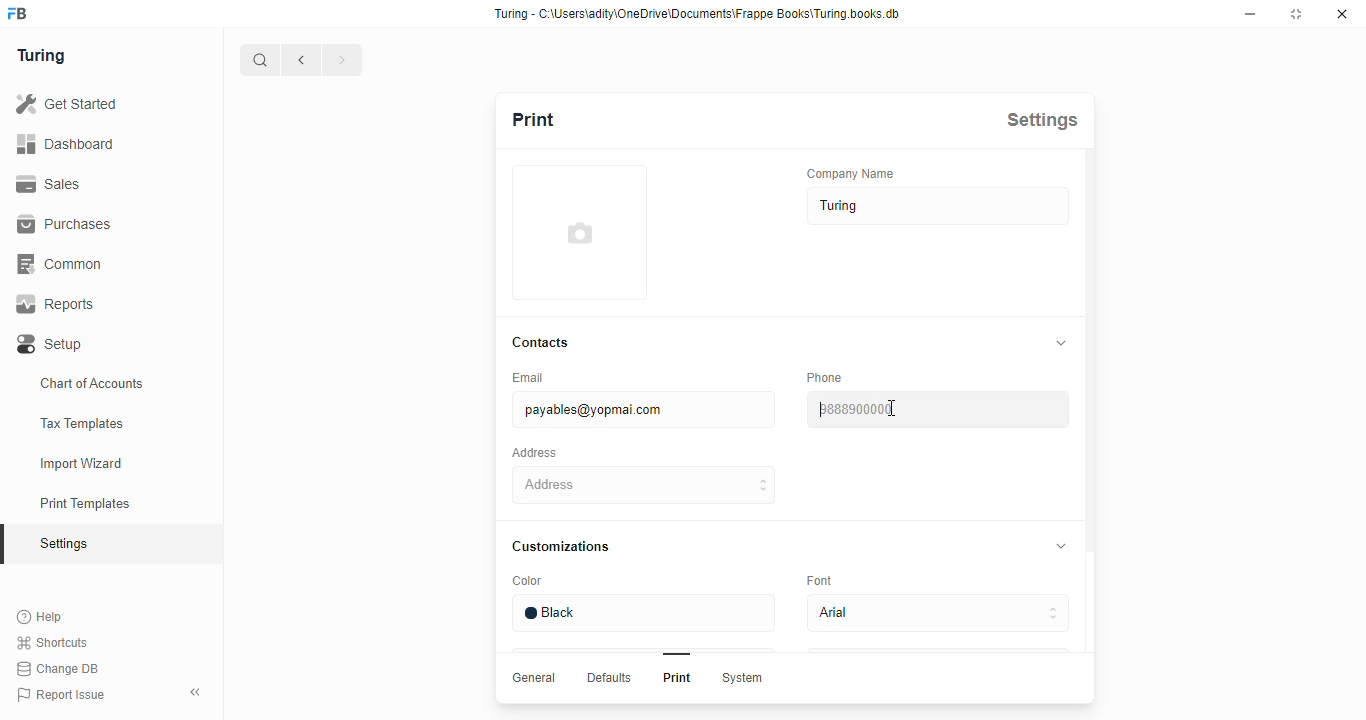 This screenshot has height=720, width=1366. What do you see at coordinates (1041, 120) in the screenshot?
I see `Settings` at bounding box center [1041, 120].